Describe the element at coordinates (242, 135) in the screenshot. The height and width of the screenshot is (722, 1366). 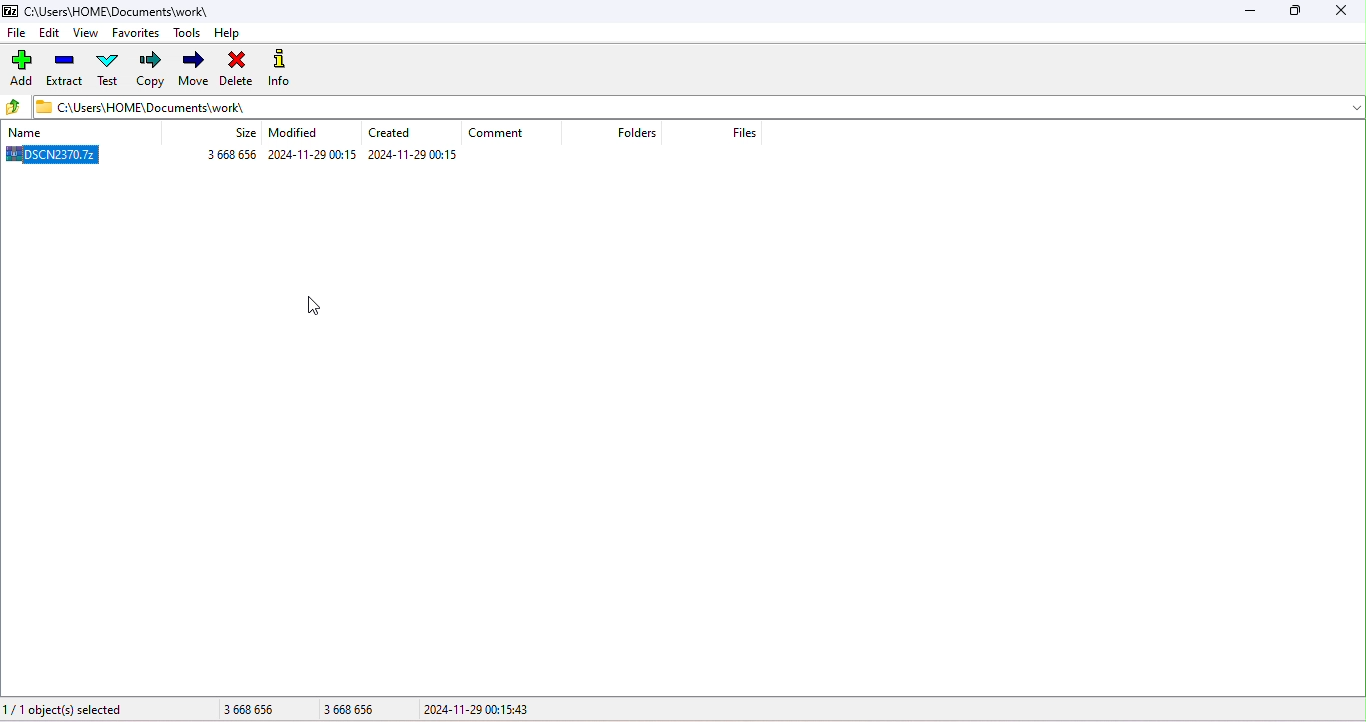
I see `size` at that location.